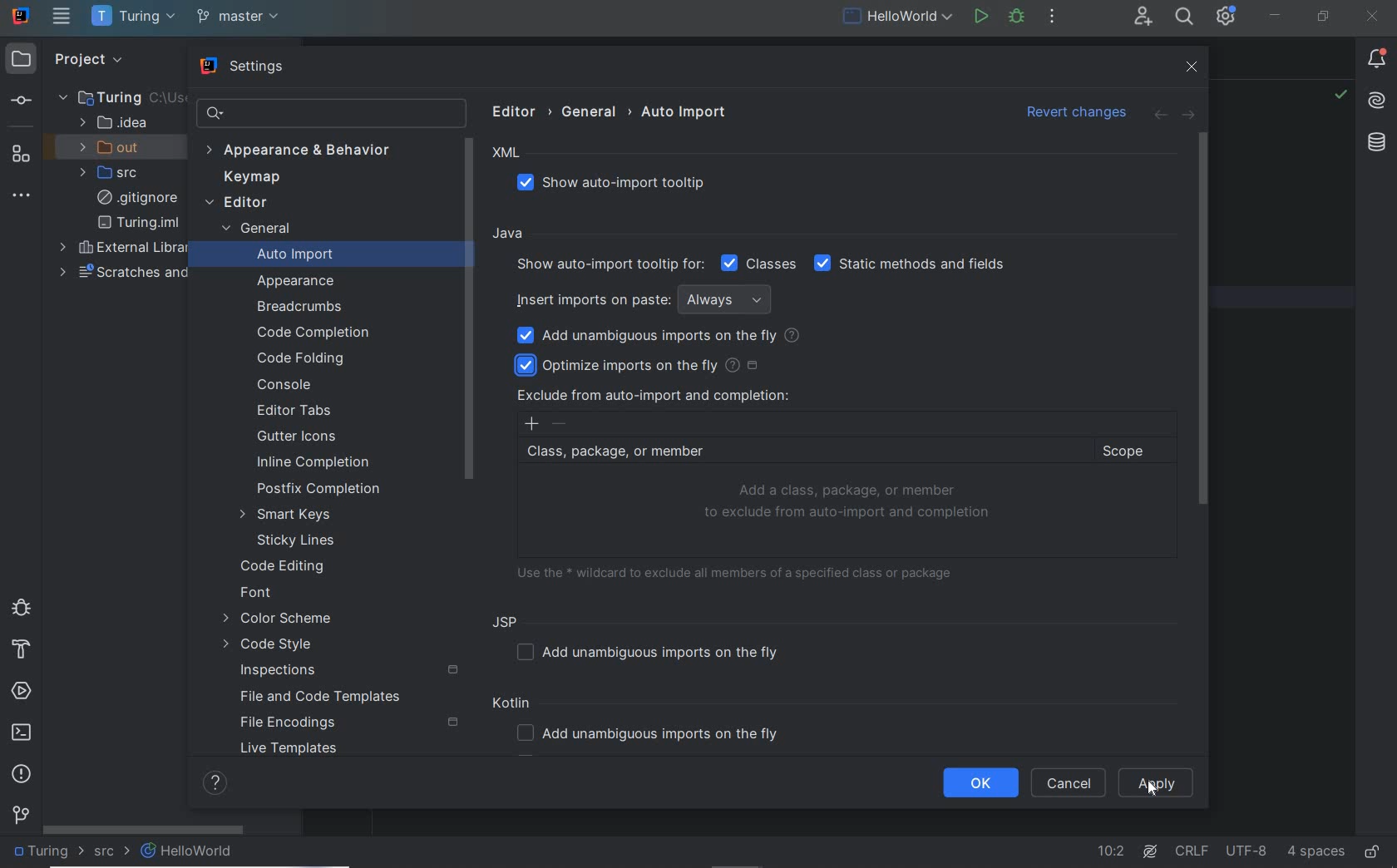  I want to click on GENERAL, so click(254, 230).